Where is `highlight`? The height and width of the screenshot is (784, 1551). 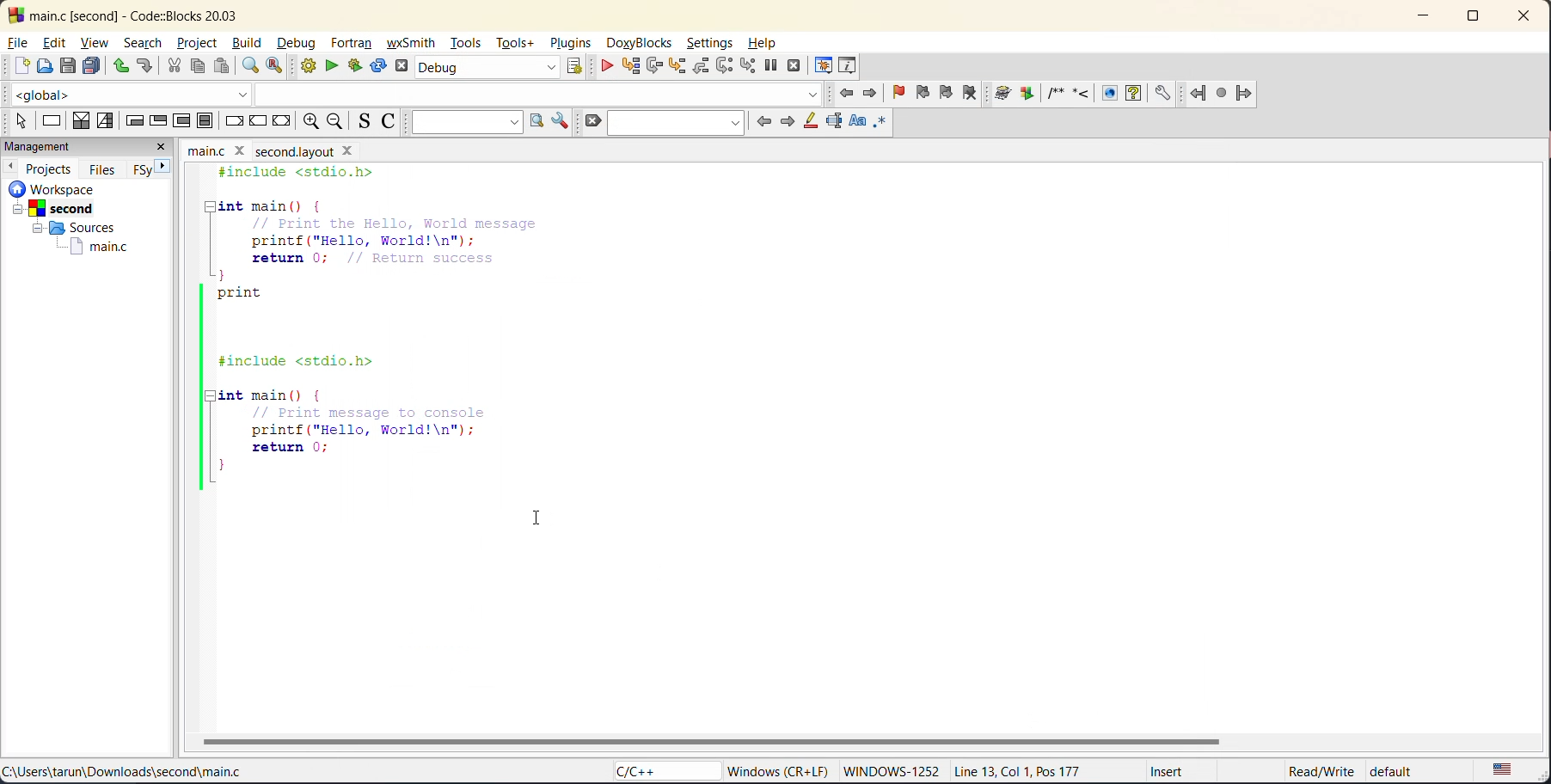
highlight is located at coordinates (810, 121).